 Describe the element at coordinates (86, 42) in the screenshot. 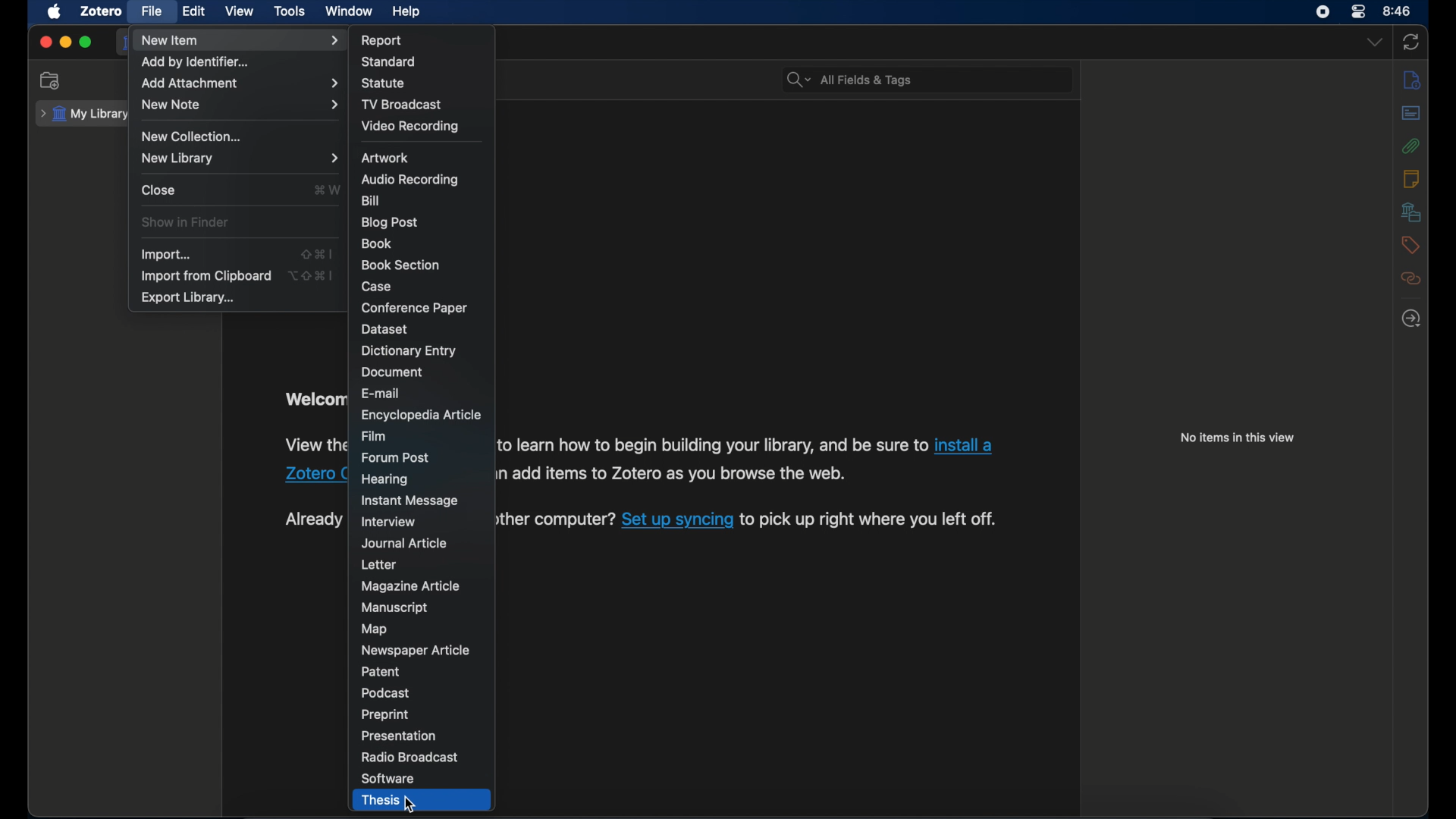

I see `maximize` at that location.